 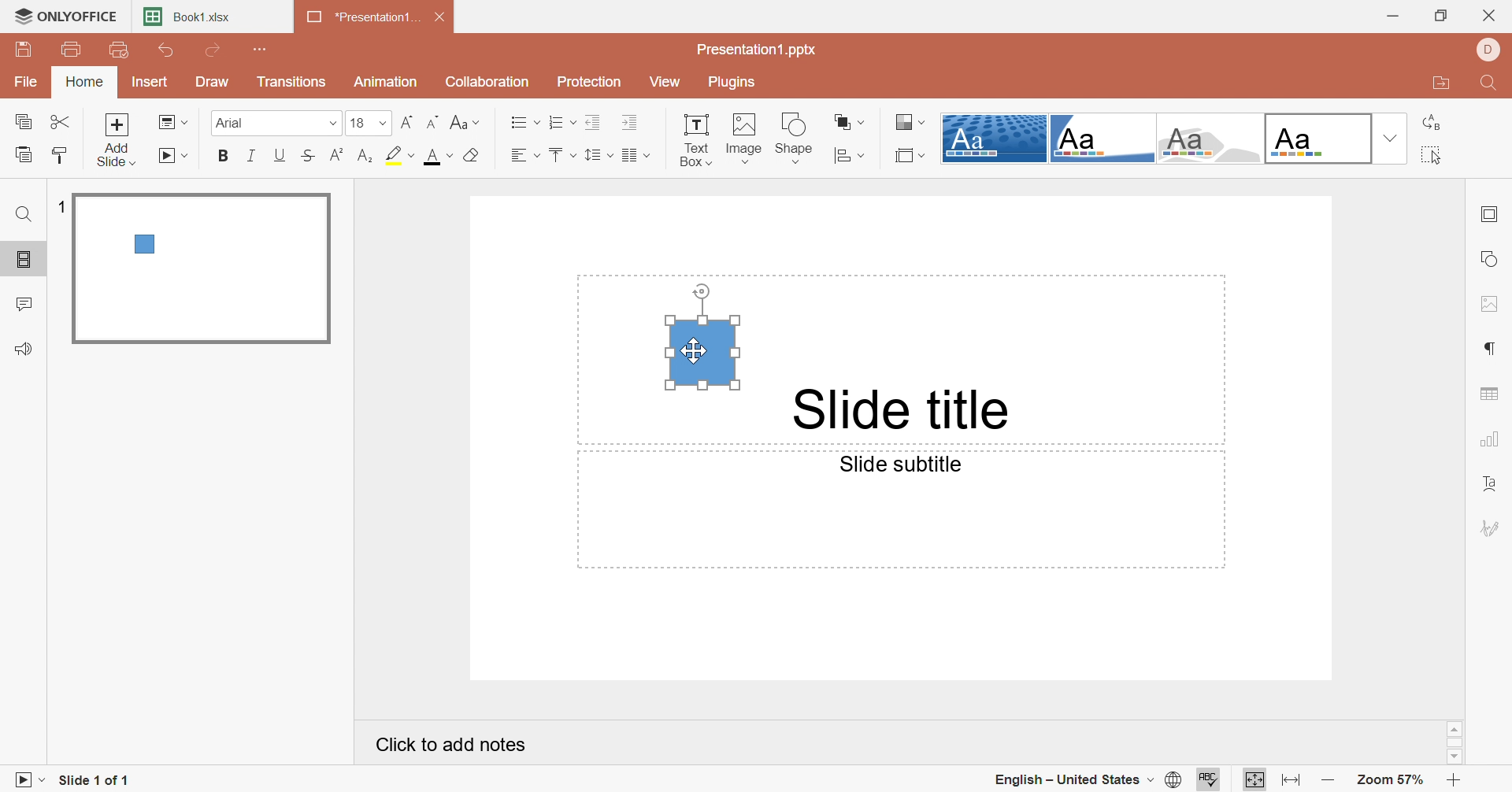 What do you see at coordinates (250, 157) in the screenshot?
I see `Italic` at bounding box center [250, 157].